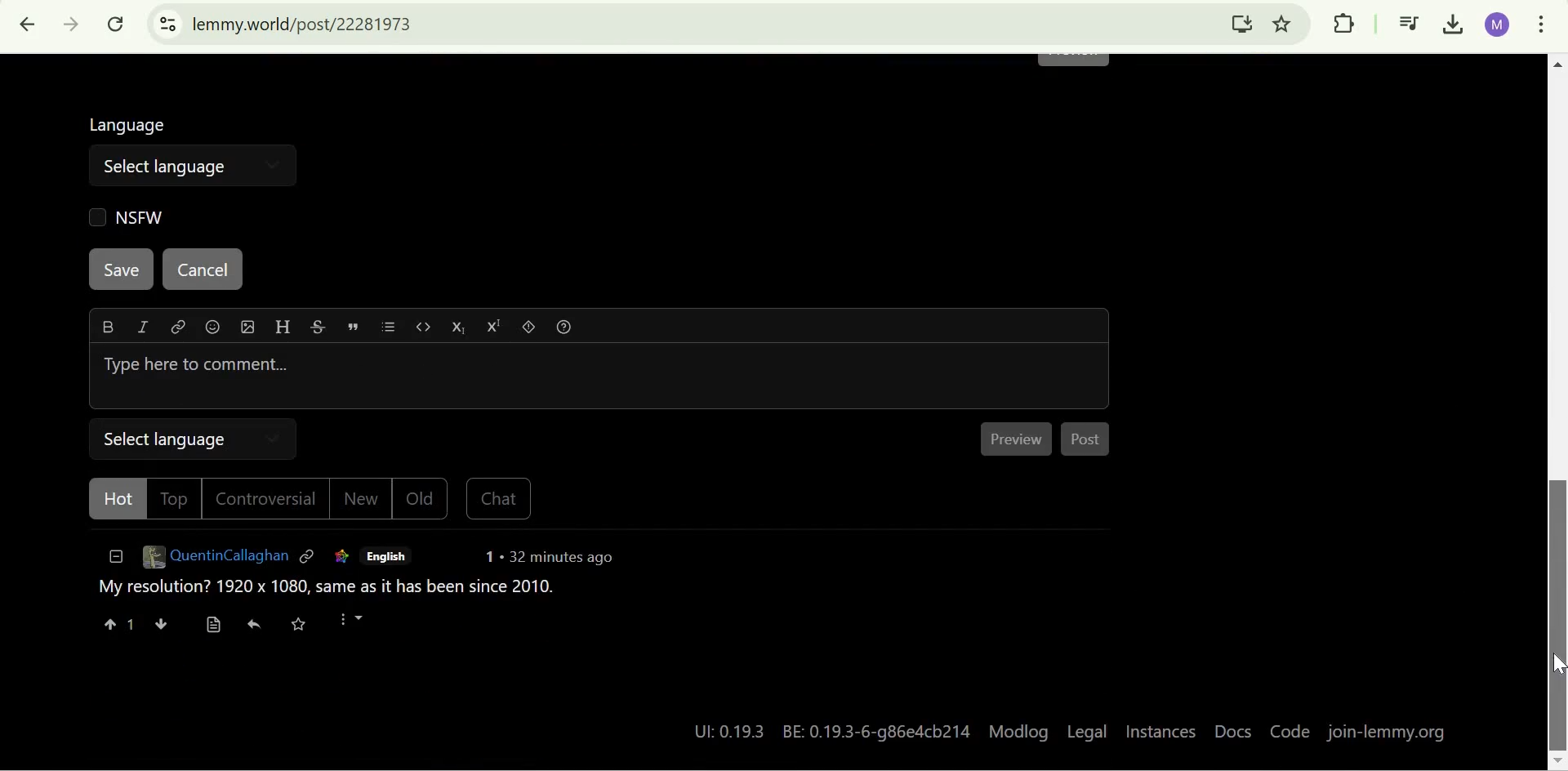 Image resolution: width=1568 pixels, height=771 pixels. I want to click on upload image, so click(246, 328).